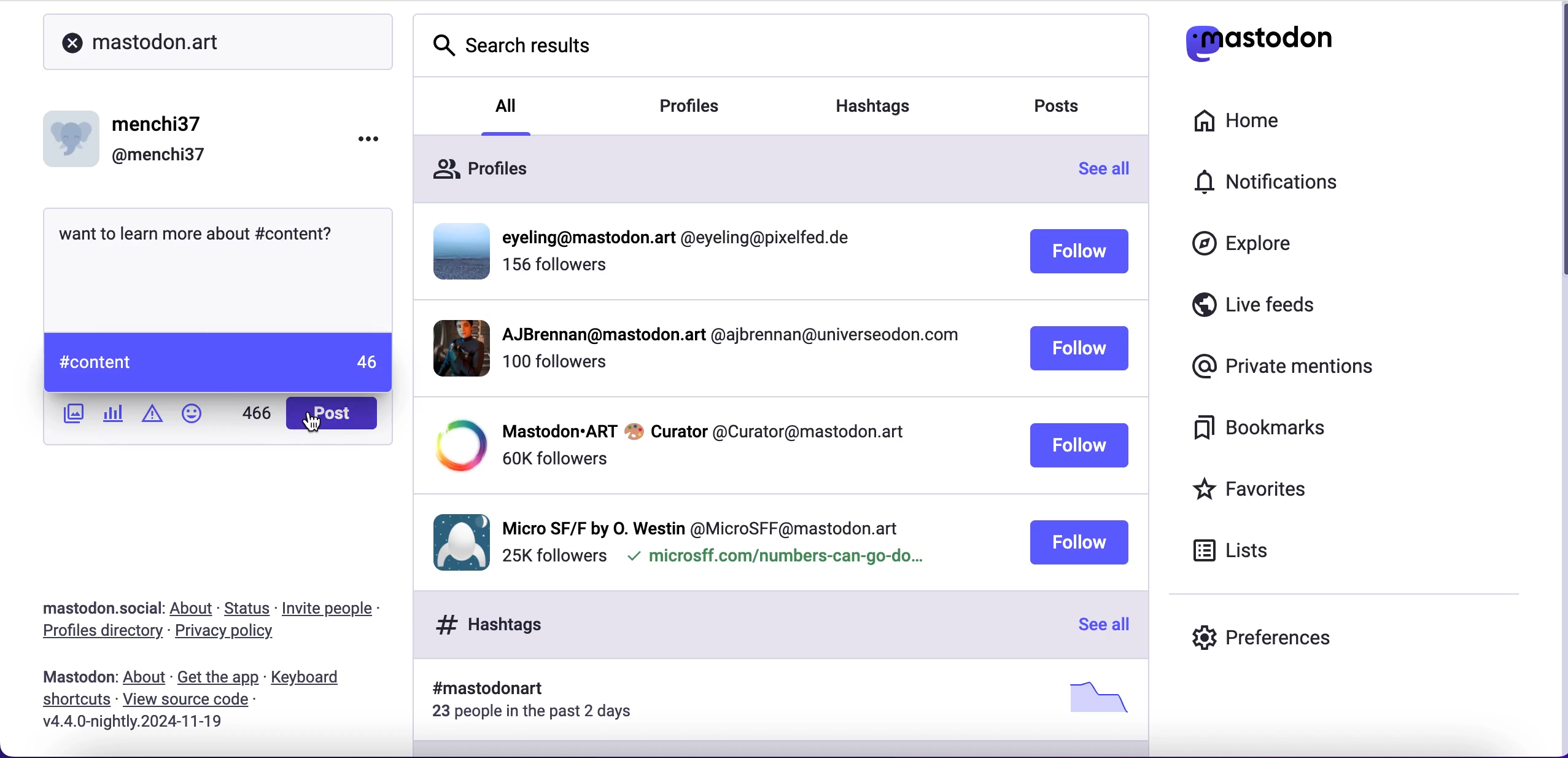 Image resolution: width=1568 pixels, height=758 pixels. Describe the element at coordinates (114, 415) in the screenshot. I see `add poll` at that location.